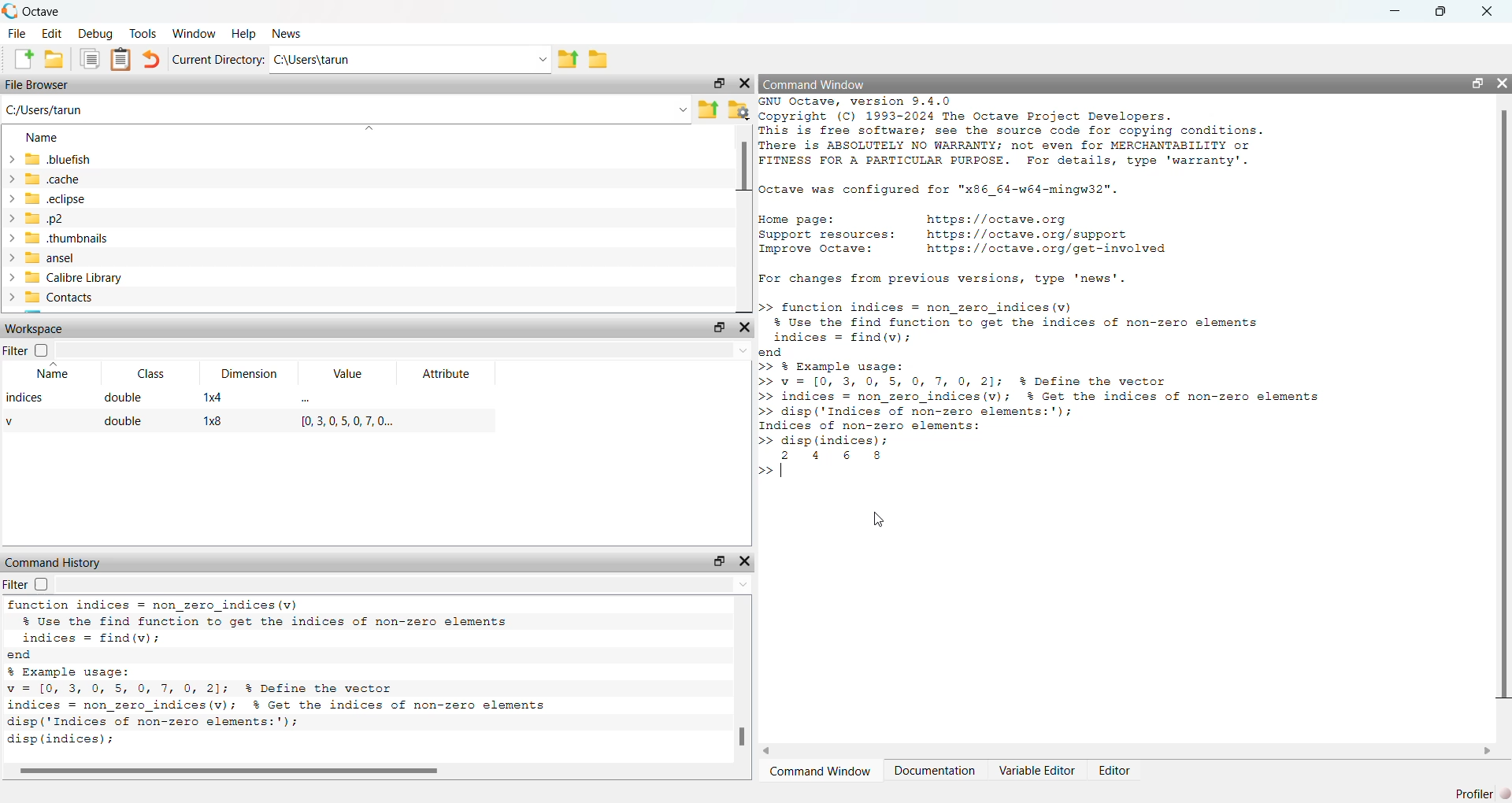  What do you see at coordinates (1135, 751) in the screenshot?
I see `horizontal scroll bar` at bounding box center [1135, 751].